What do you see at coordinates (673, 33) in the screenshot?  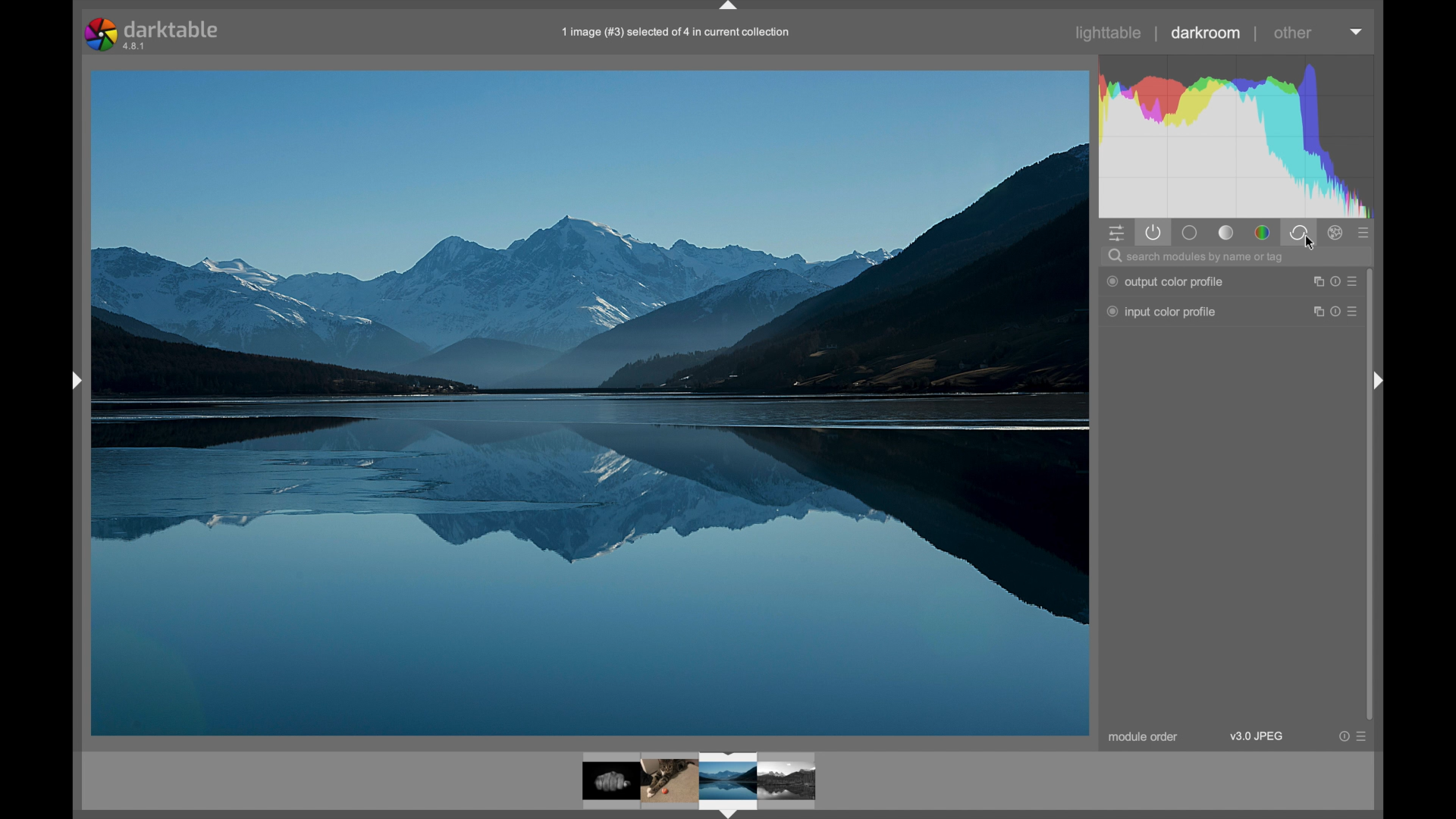 I see `file name` at bounding box center [673, 33].